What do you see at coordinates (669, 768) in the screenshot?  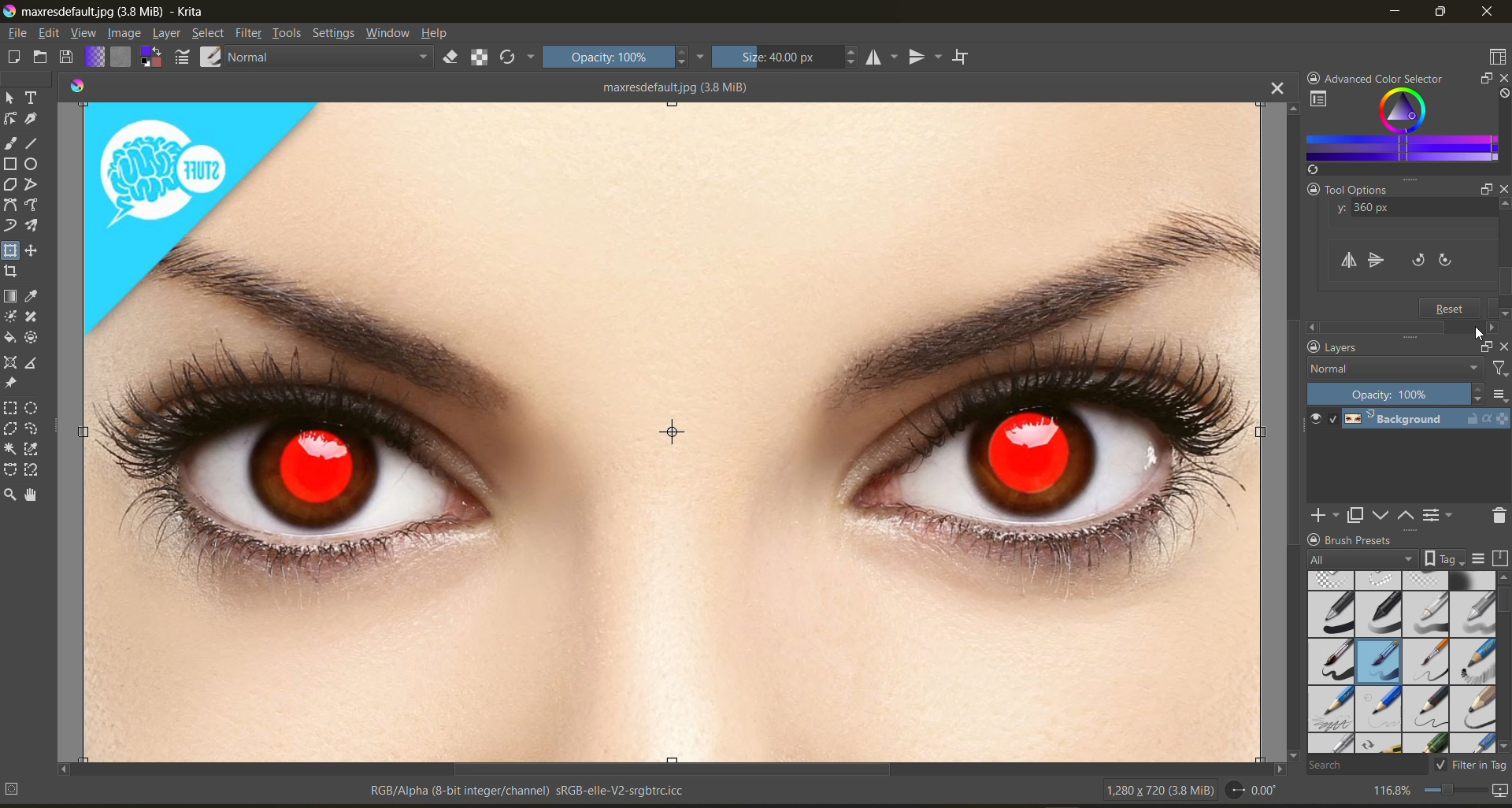 I see `horizontal scroll bar` at bounding box center [669, 768].